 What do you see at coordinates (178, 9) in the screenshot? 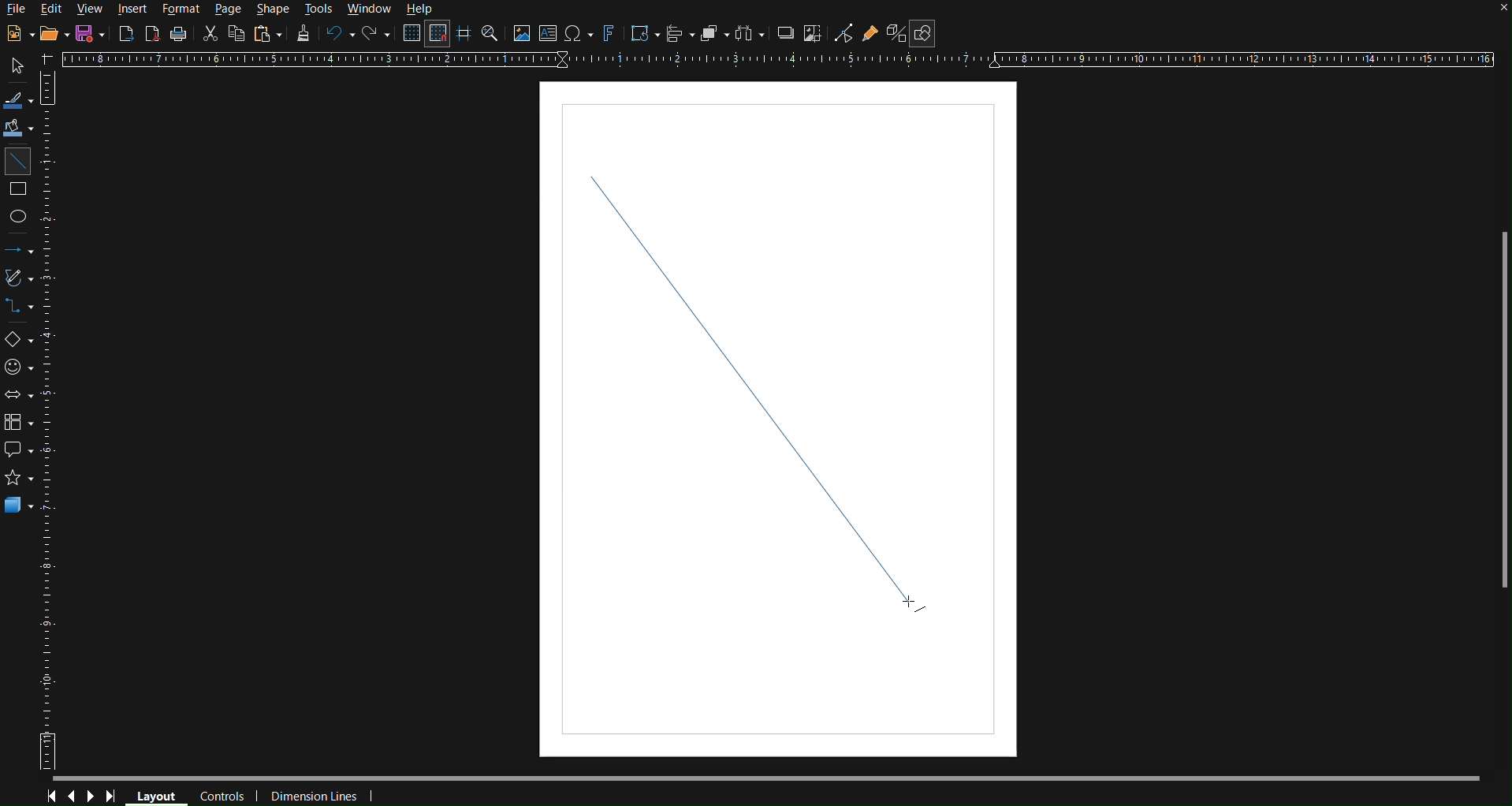
I see `Format` at bounding box center [178, 9].